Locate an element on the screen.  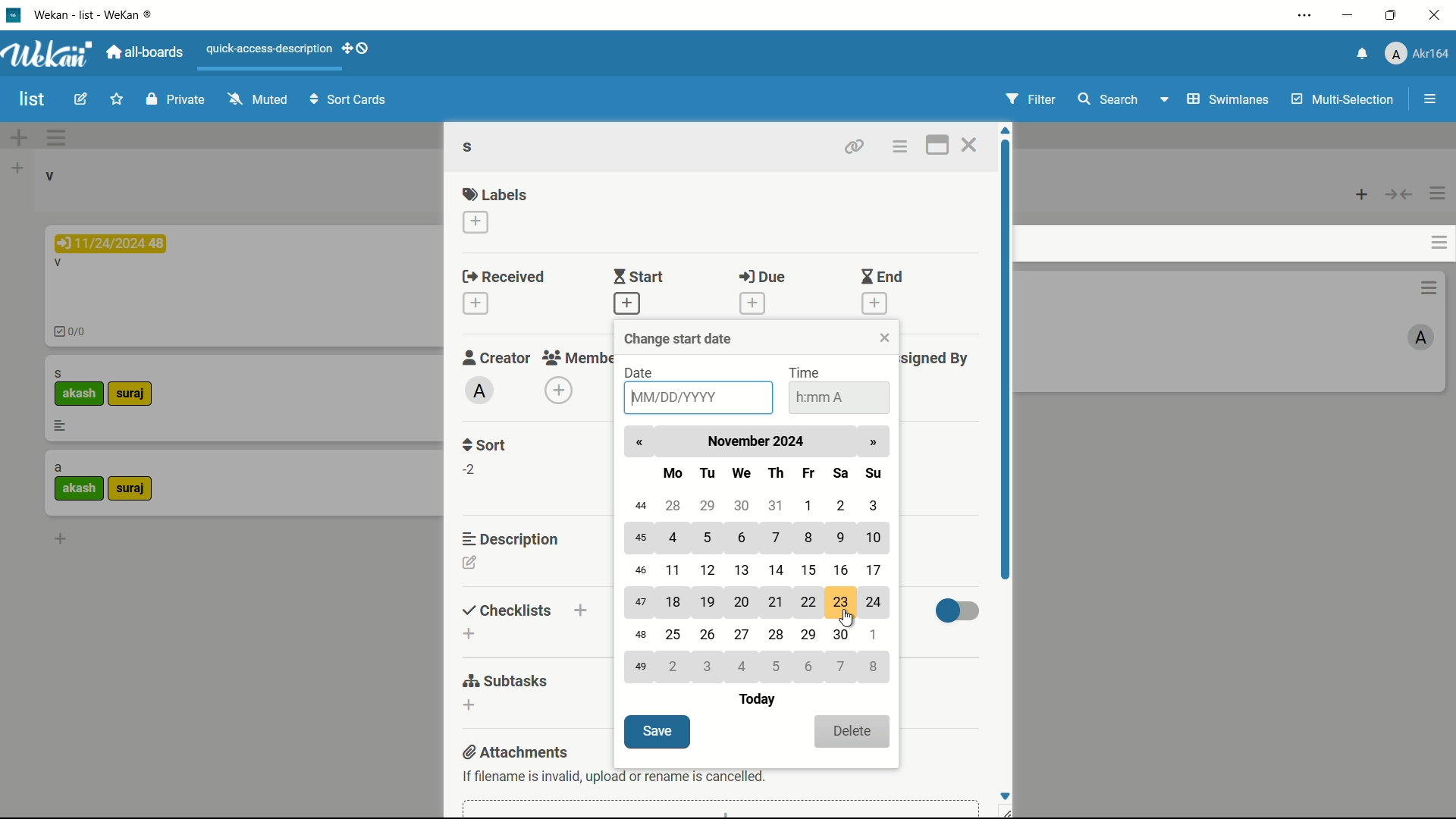
card name is located at coordinates (58, 469).